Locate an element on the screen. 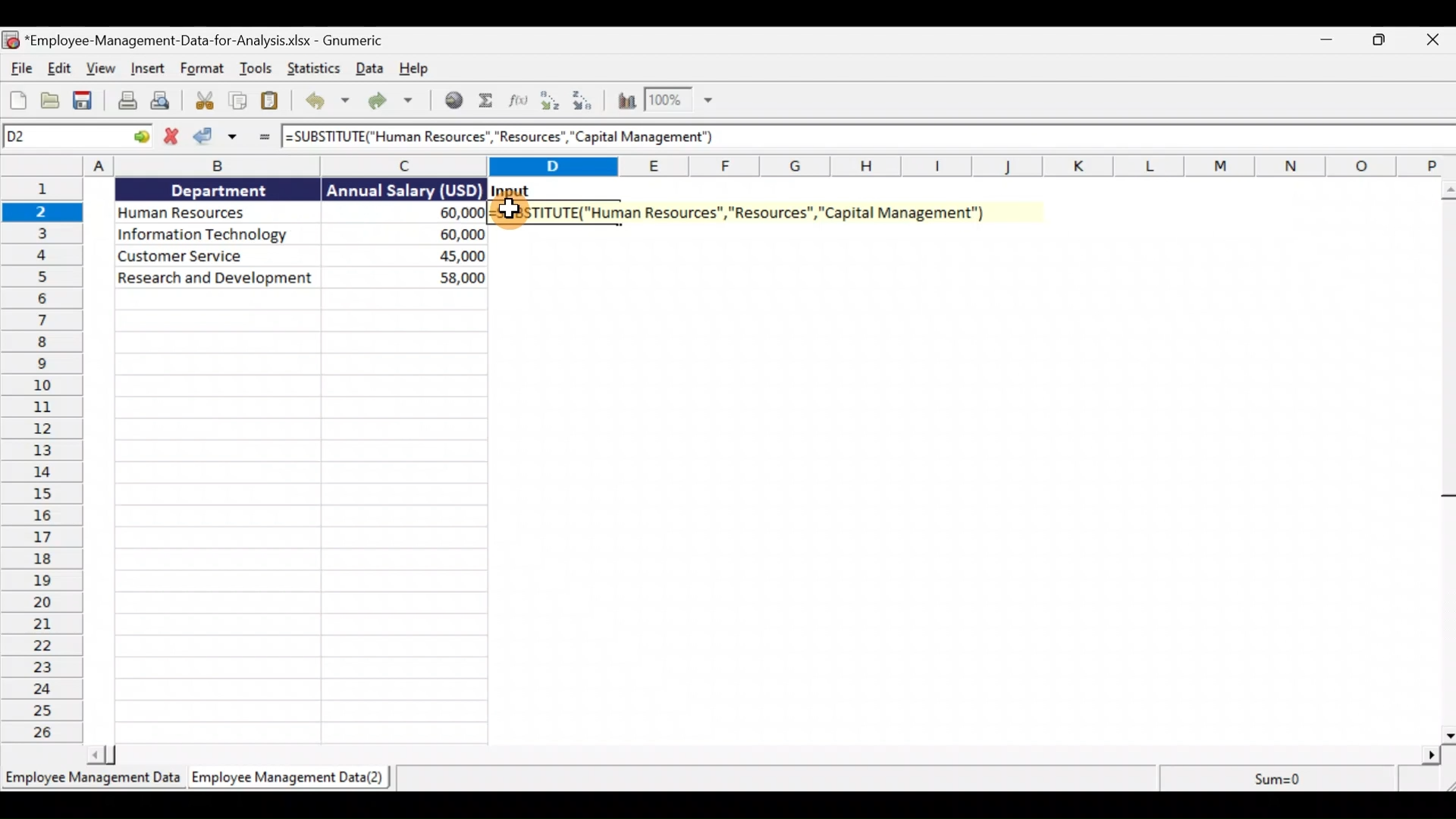  Columns is located at coordinates (731, 168).